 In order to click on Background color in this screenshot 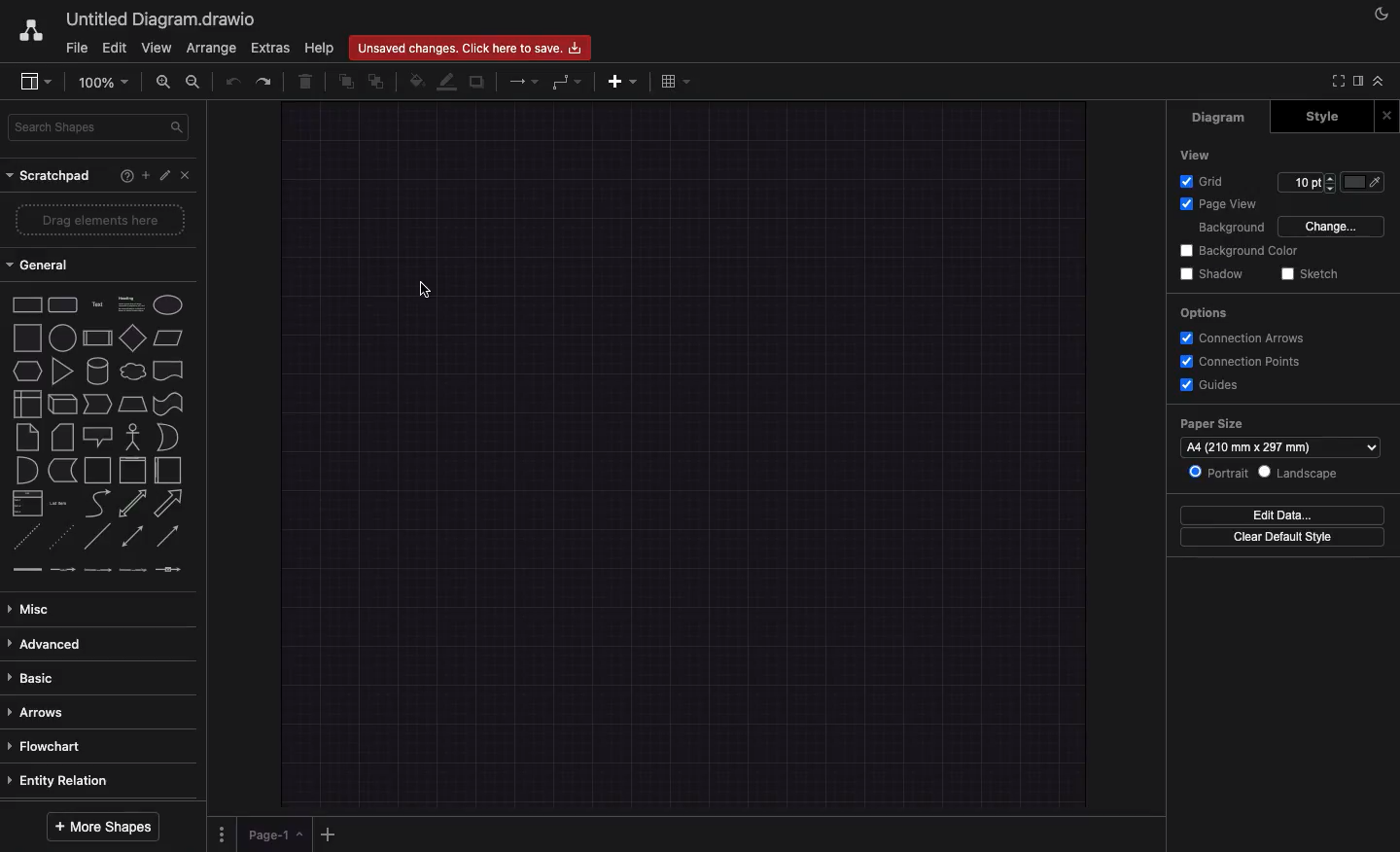, I will do `click(1244, 252)`.